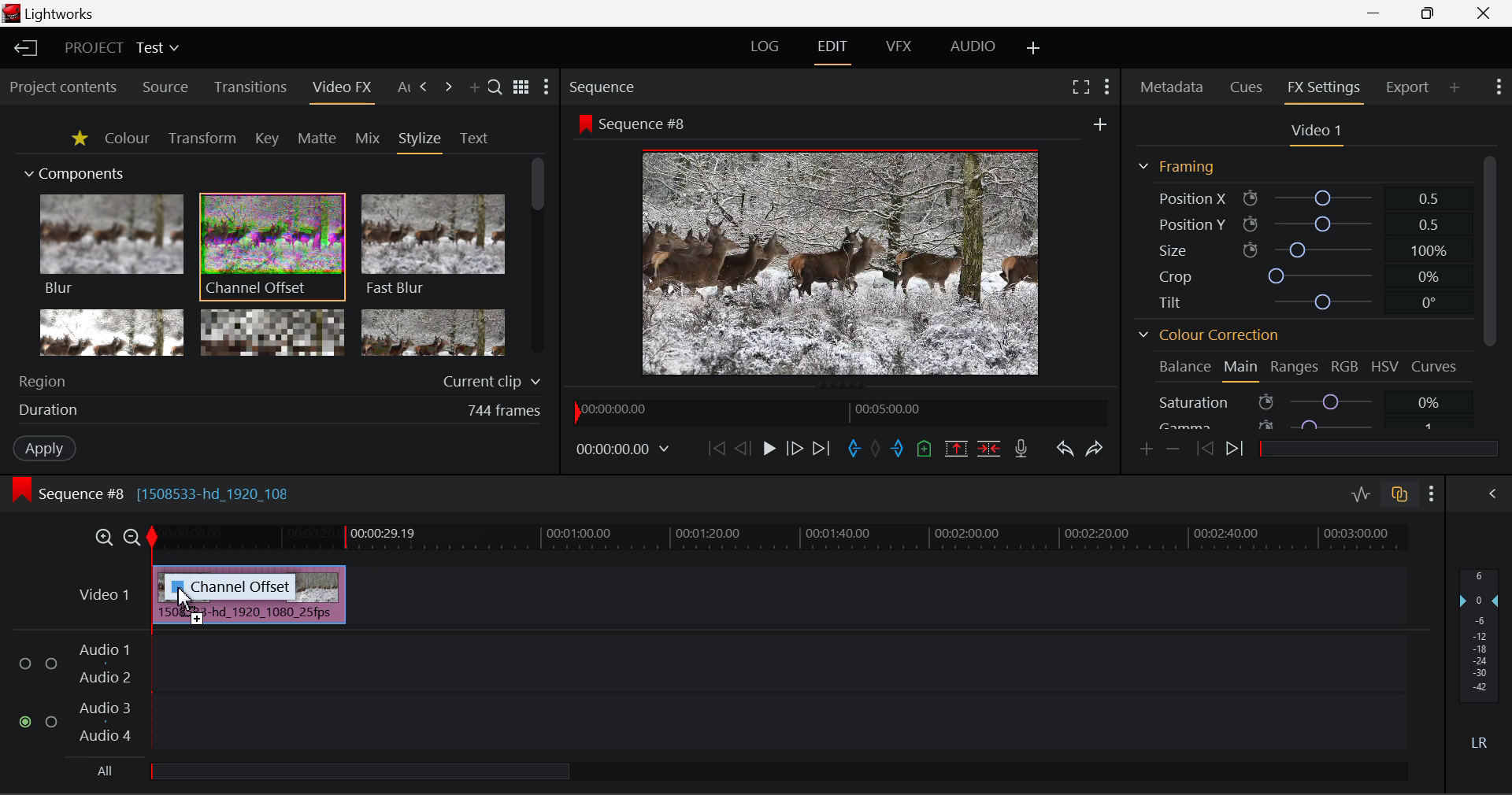 Image resolution: width=1512 pixels, height=795 pixels. Describe the element at coordinates (1246, 87) in the screenshot. I see `Cues` at that location.